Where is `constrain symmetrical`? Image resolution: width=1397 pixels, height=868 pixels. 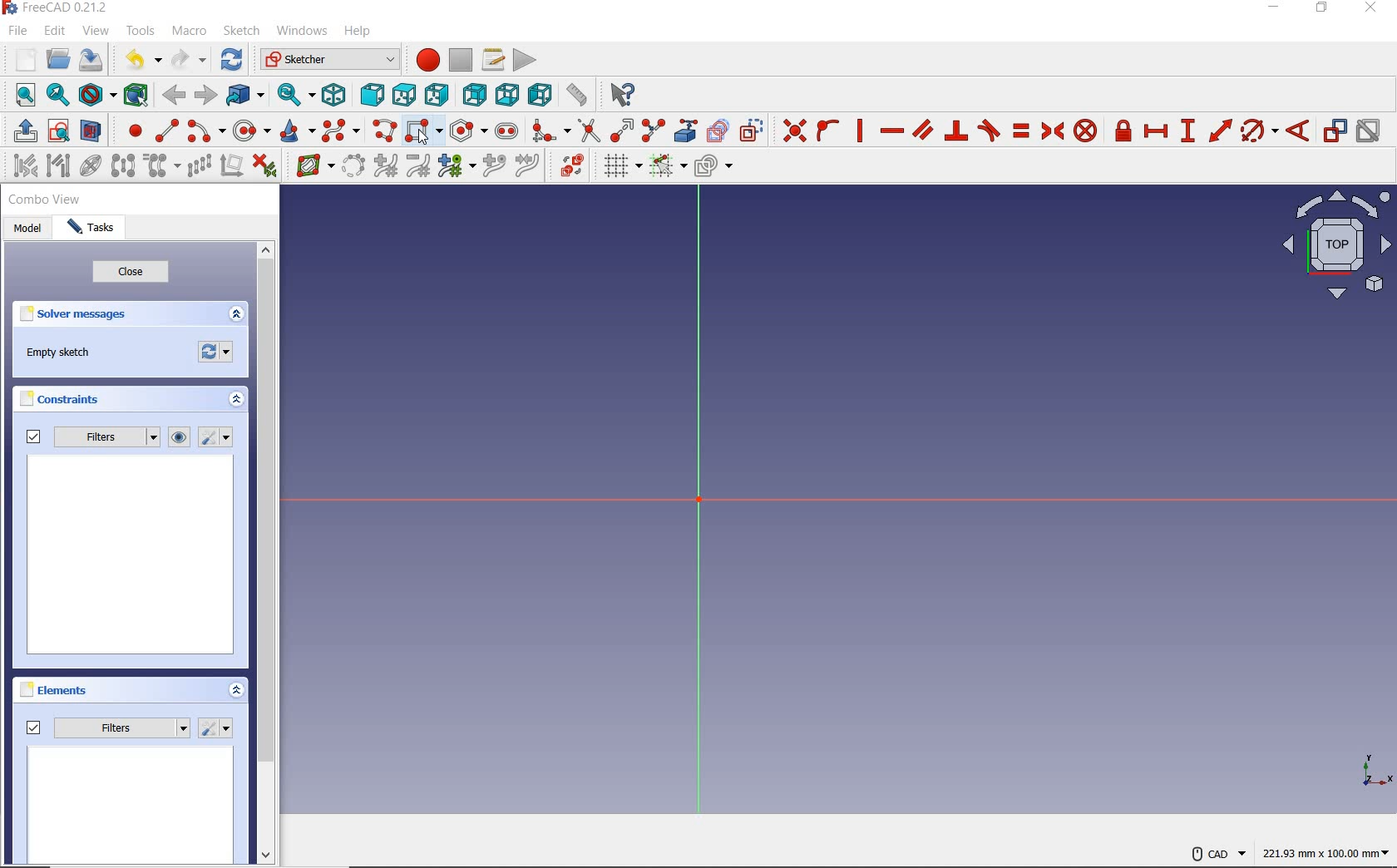
constrain symmetrical is located at coordinates (1054, 131).